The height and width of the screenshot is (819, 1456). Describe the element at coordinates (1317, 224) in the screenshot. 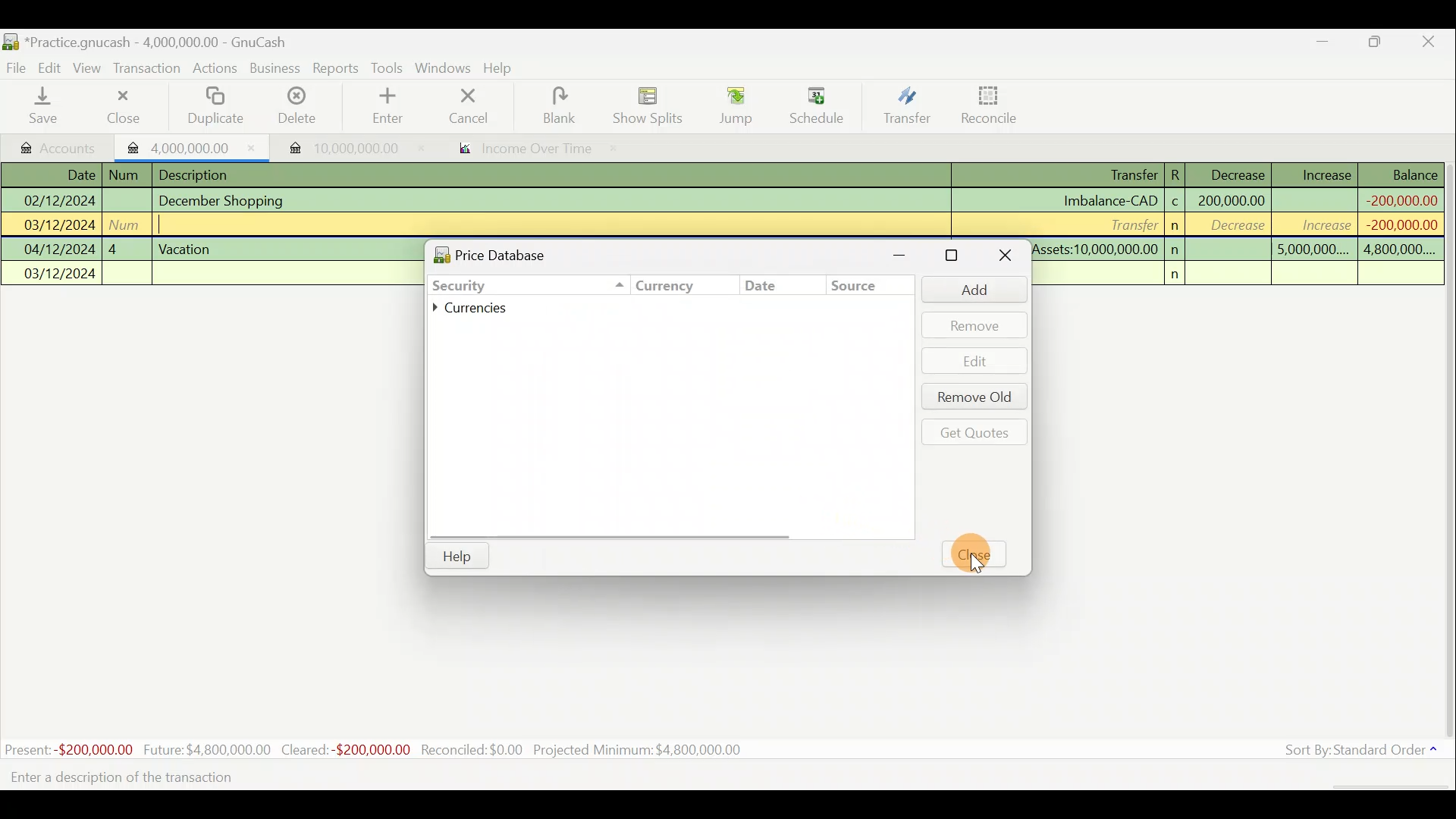

I see `increase` at that location.